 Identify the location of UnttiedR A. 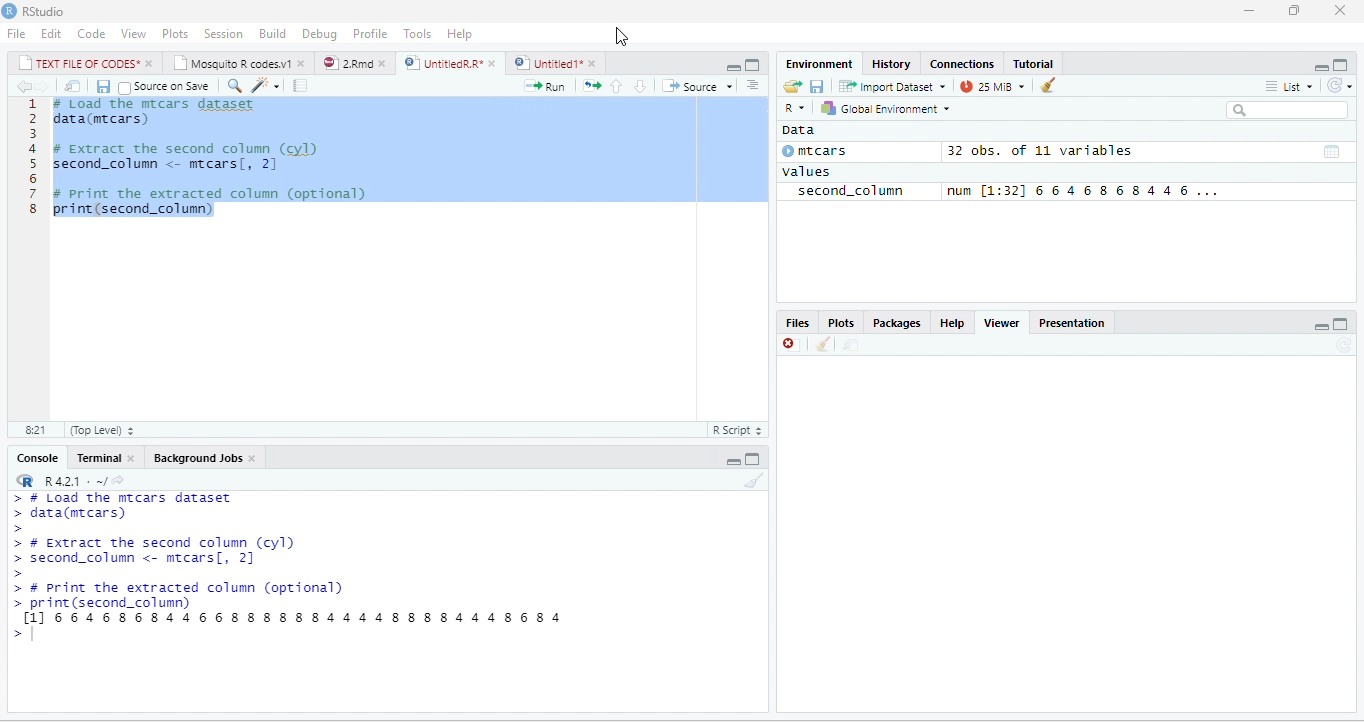
(443, 62).